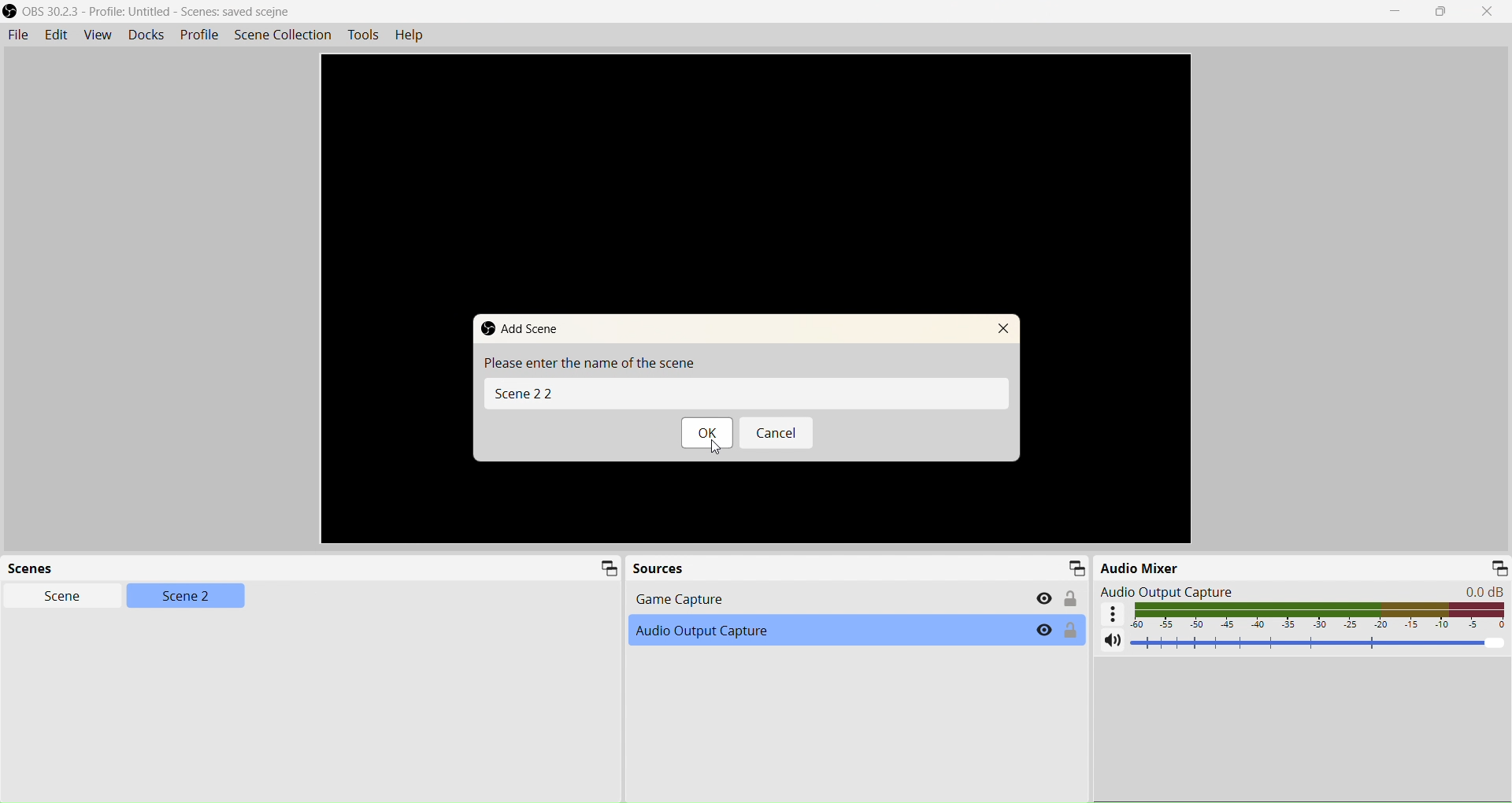 The width and height of the screenshot is (1512, 803). Describe the element at coordinates (854, 598) in the screenshot. I see `Game Capture` at that location.